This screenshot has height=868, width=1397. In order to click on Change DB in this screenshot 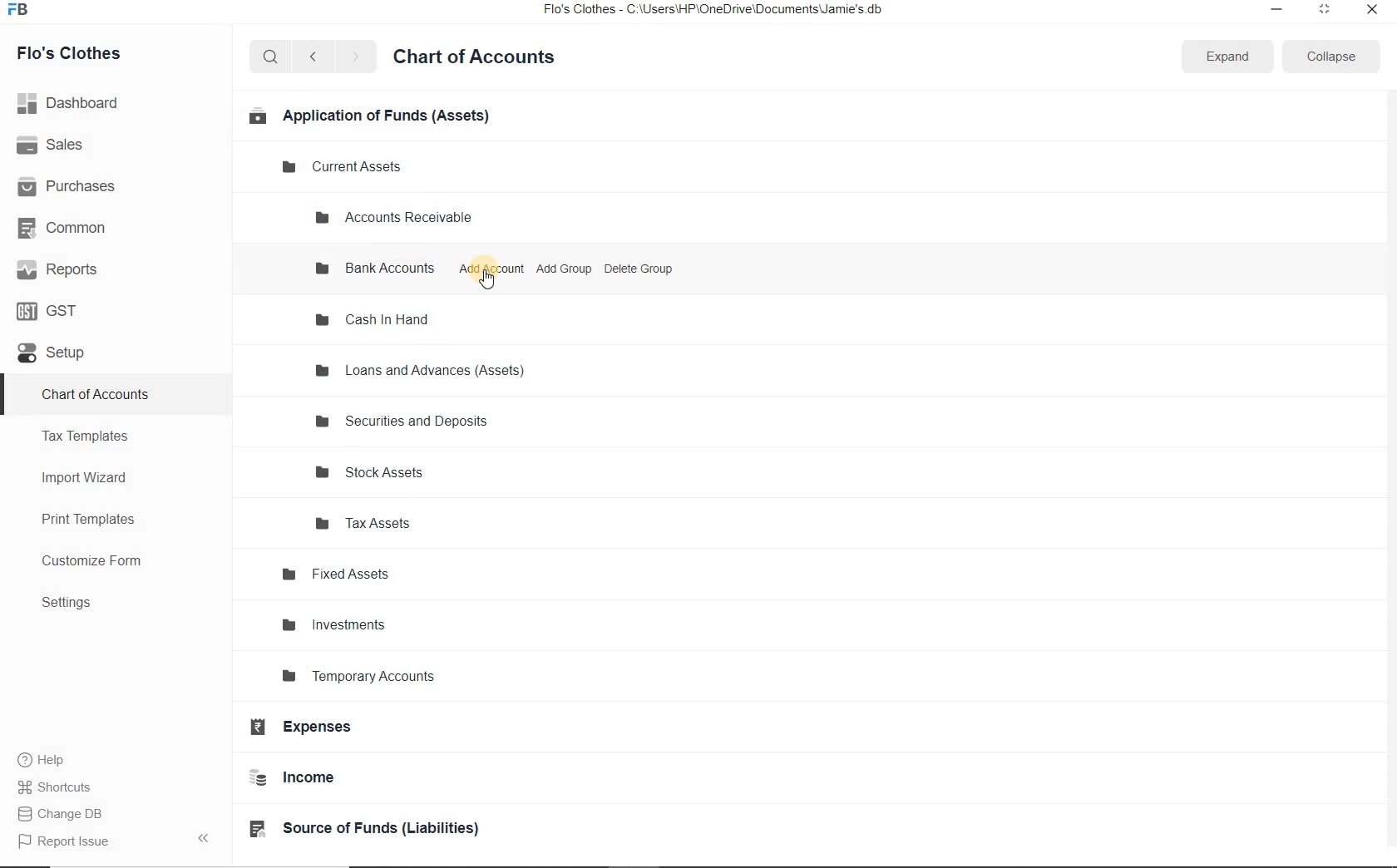, I will do `click(62, 812)`.